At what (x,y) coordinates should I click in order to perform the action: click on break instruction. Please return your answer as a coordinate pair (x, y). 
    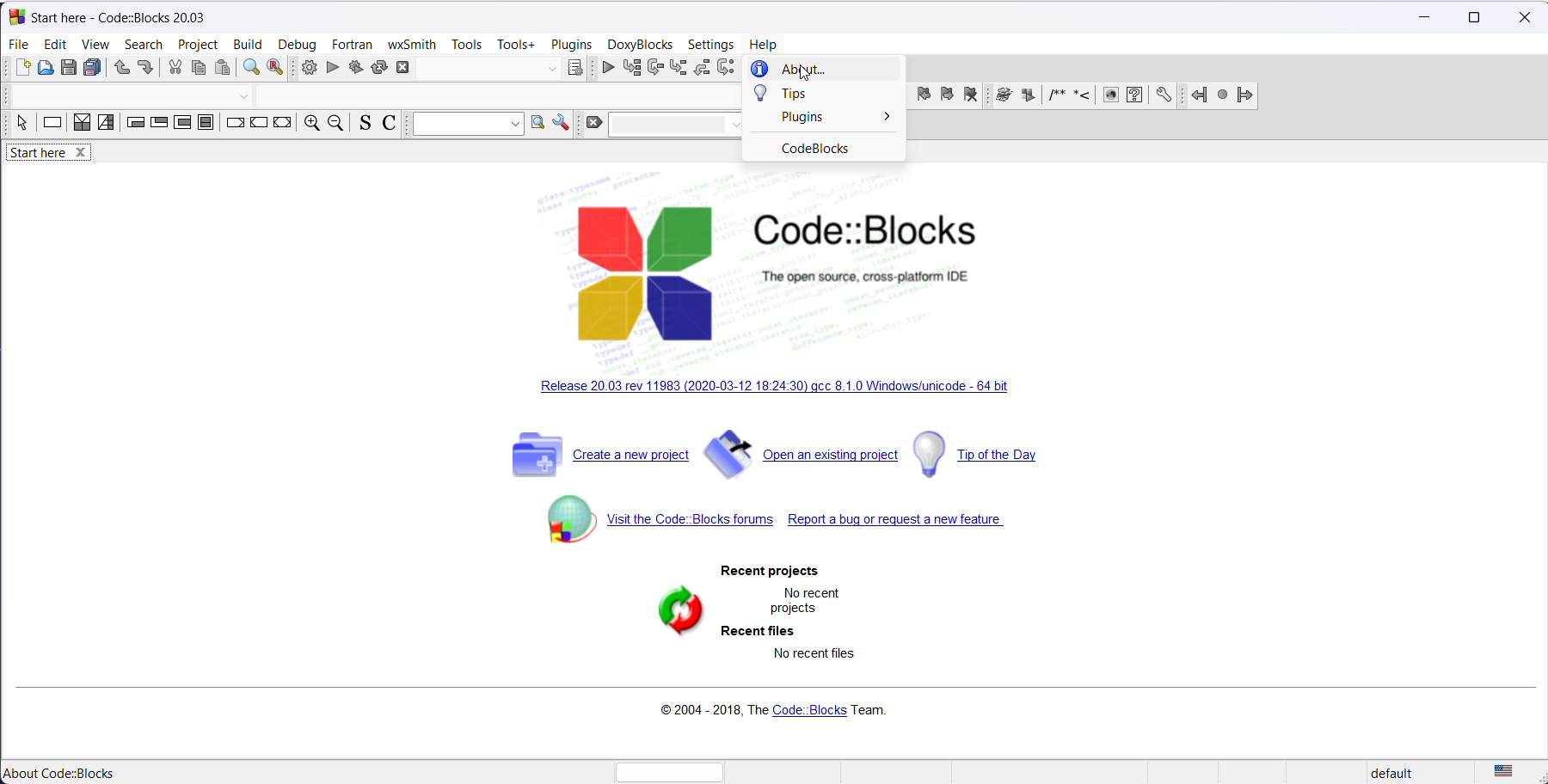
    Looking at the image, I should click on (236, 126).